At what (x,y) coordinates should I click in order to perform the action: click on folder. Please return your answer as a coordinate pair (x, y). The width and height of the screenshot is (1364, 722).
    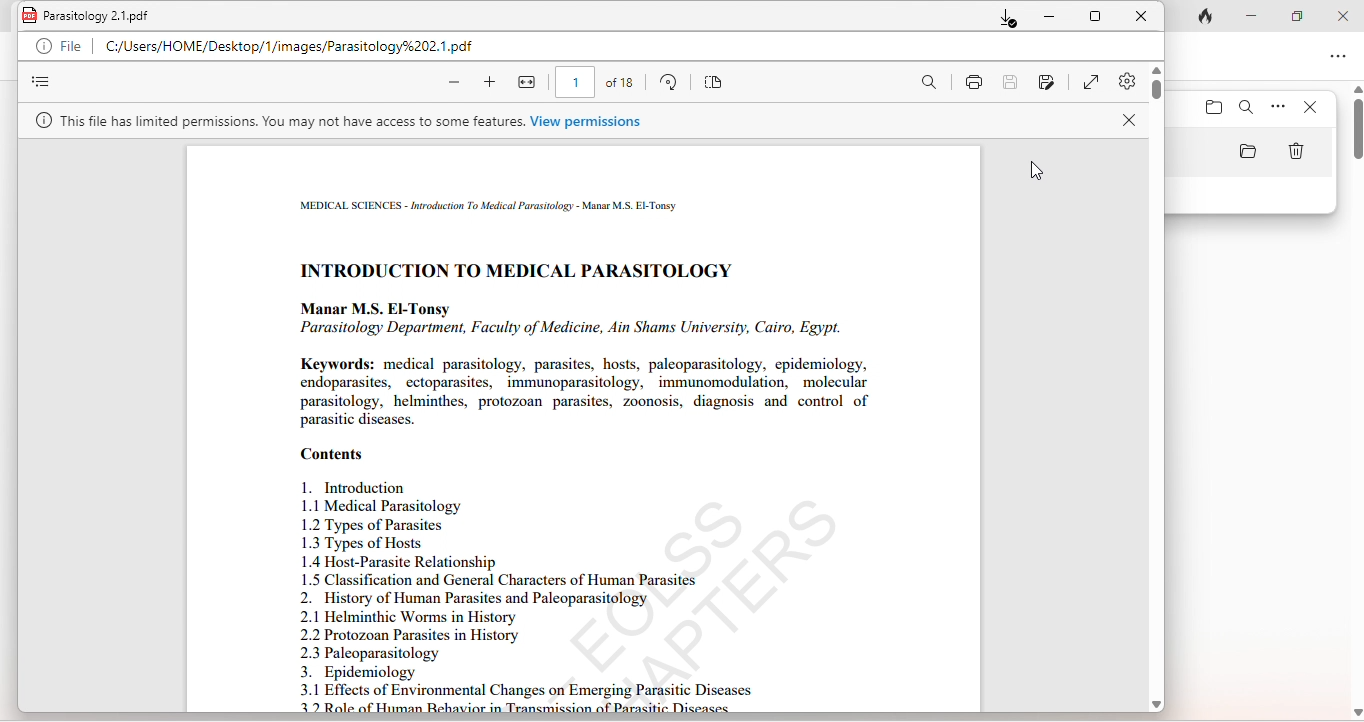
    Looking at the image, I should click on (1248, 150).